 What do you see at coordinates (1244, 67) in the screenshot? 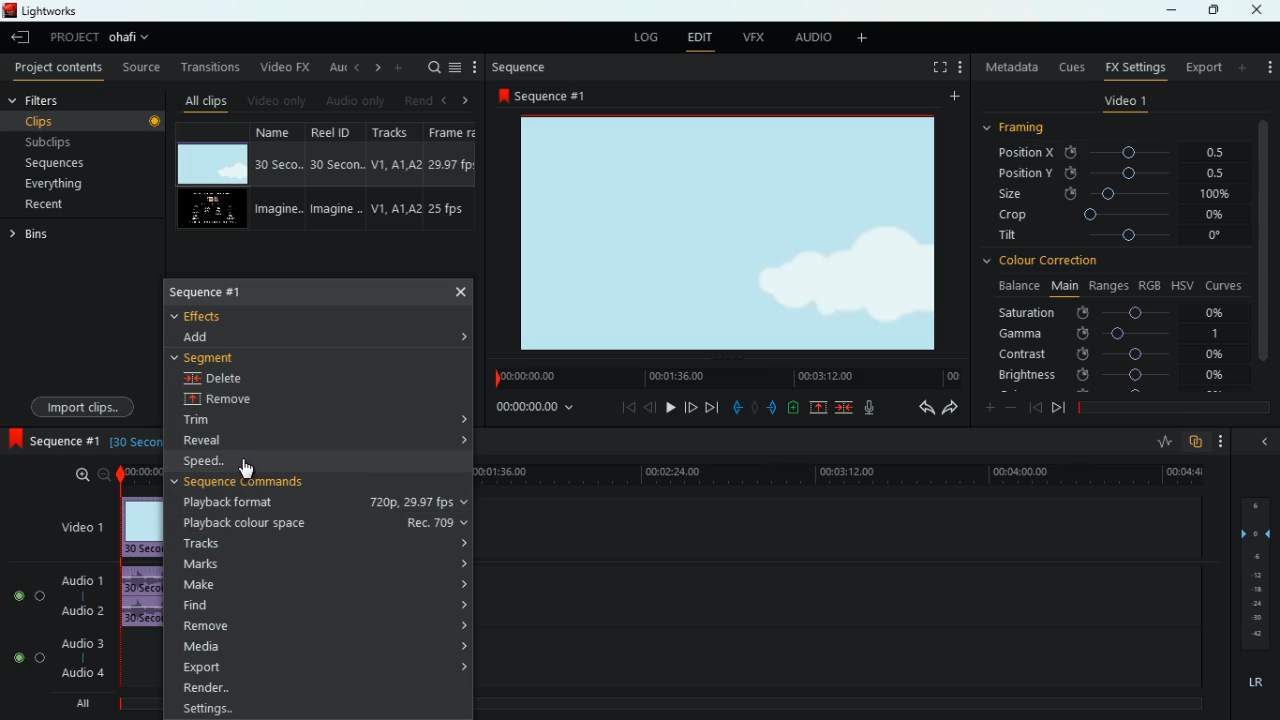
I see `more` at bounding box center [1244, 67].